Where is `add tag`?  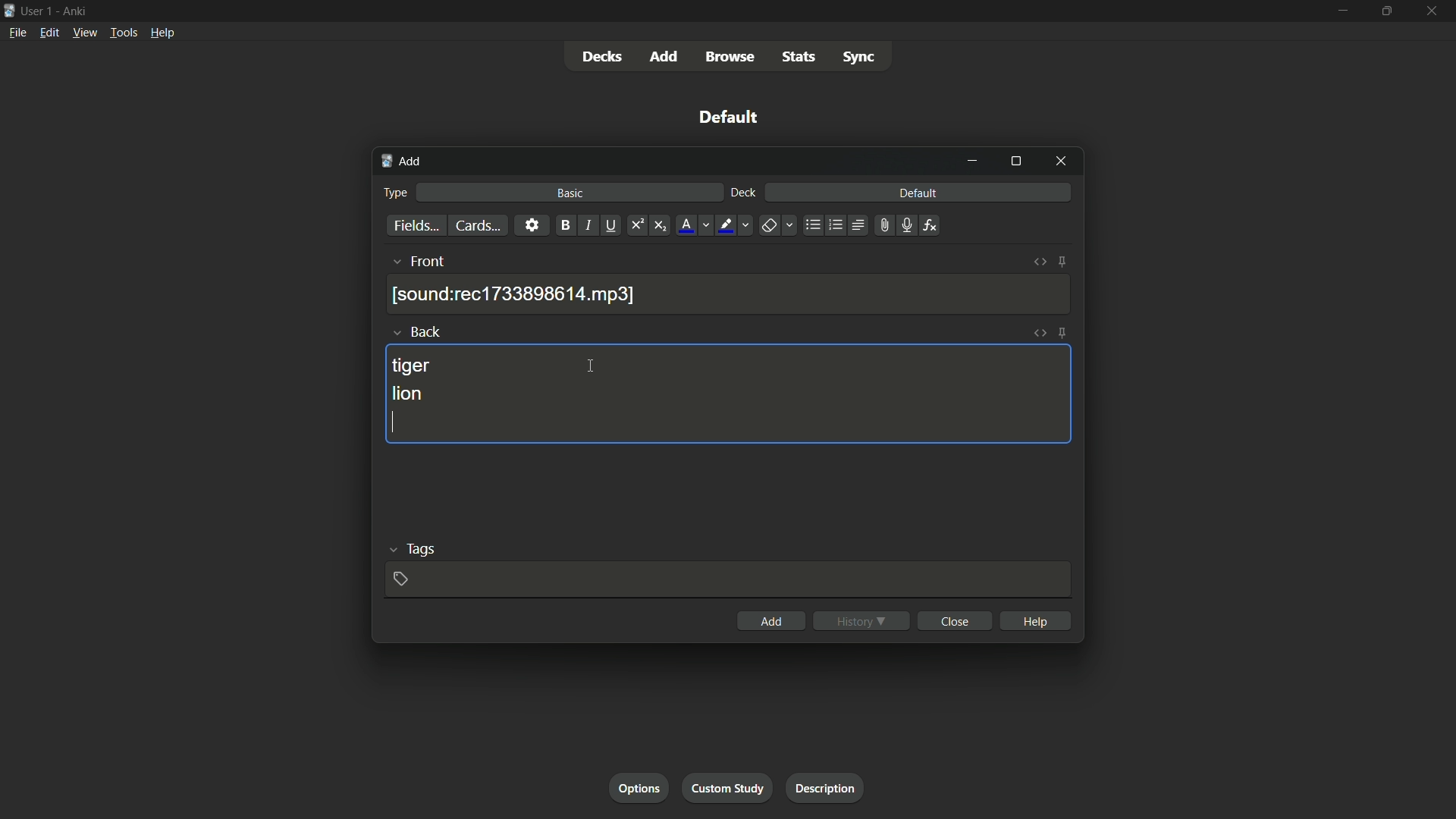
add tag is located at coordinates (401, 578).